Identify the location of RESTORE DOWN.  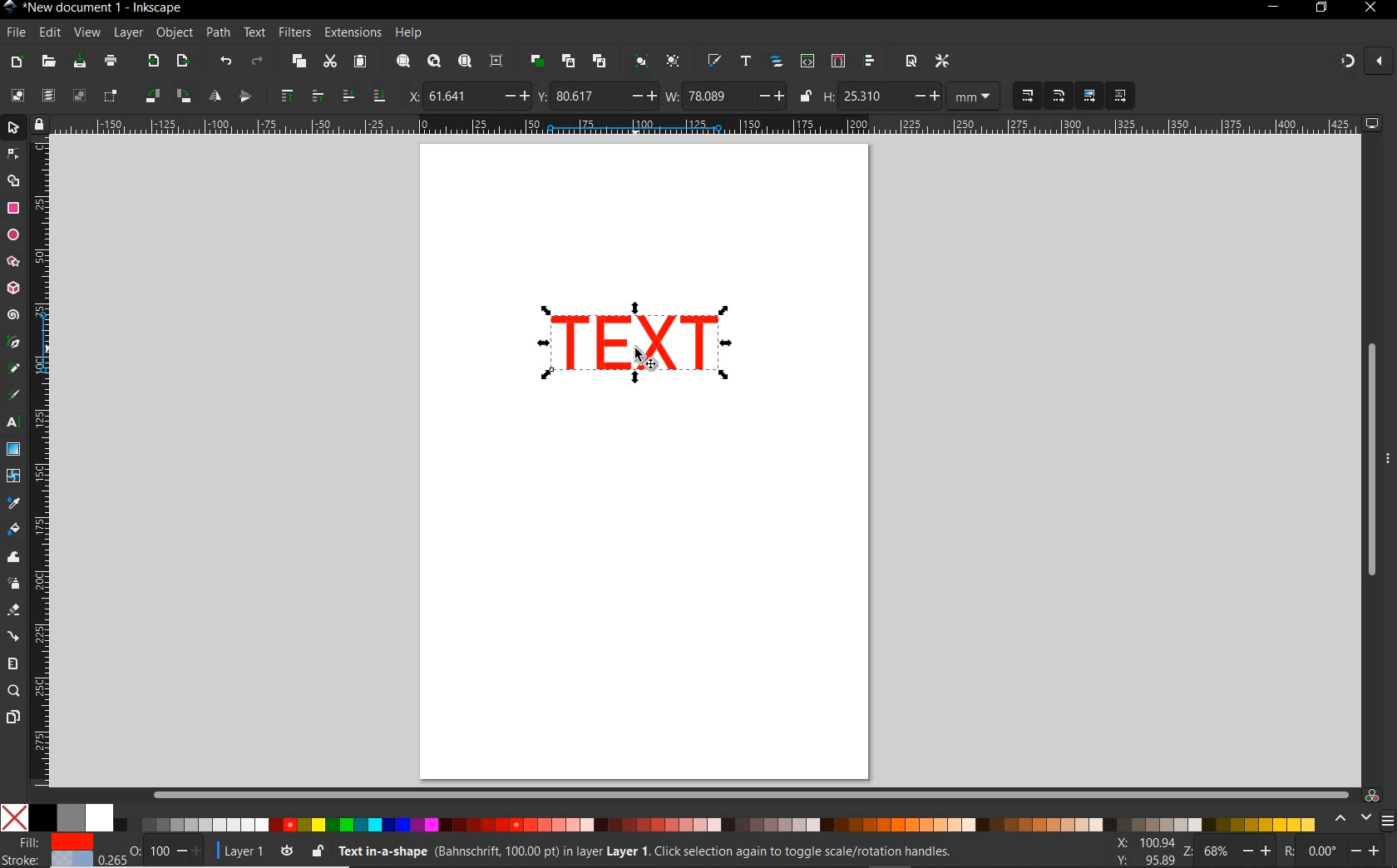
(1320, 8).